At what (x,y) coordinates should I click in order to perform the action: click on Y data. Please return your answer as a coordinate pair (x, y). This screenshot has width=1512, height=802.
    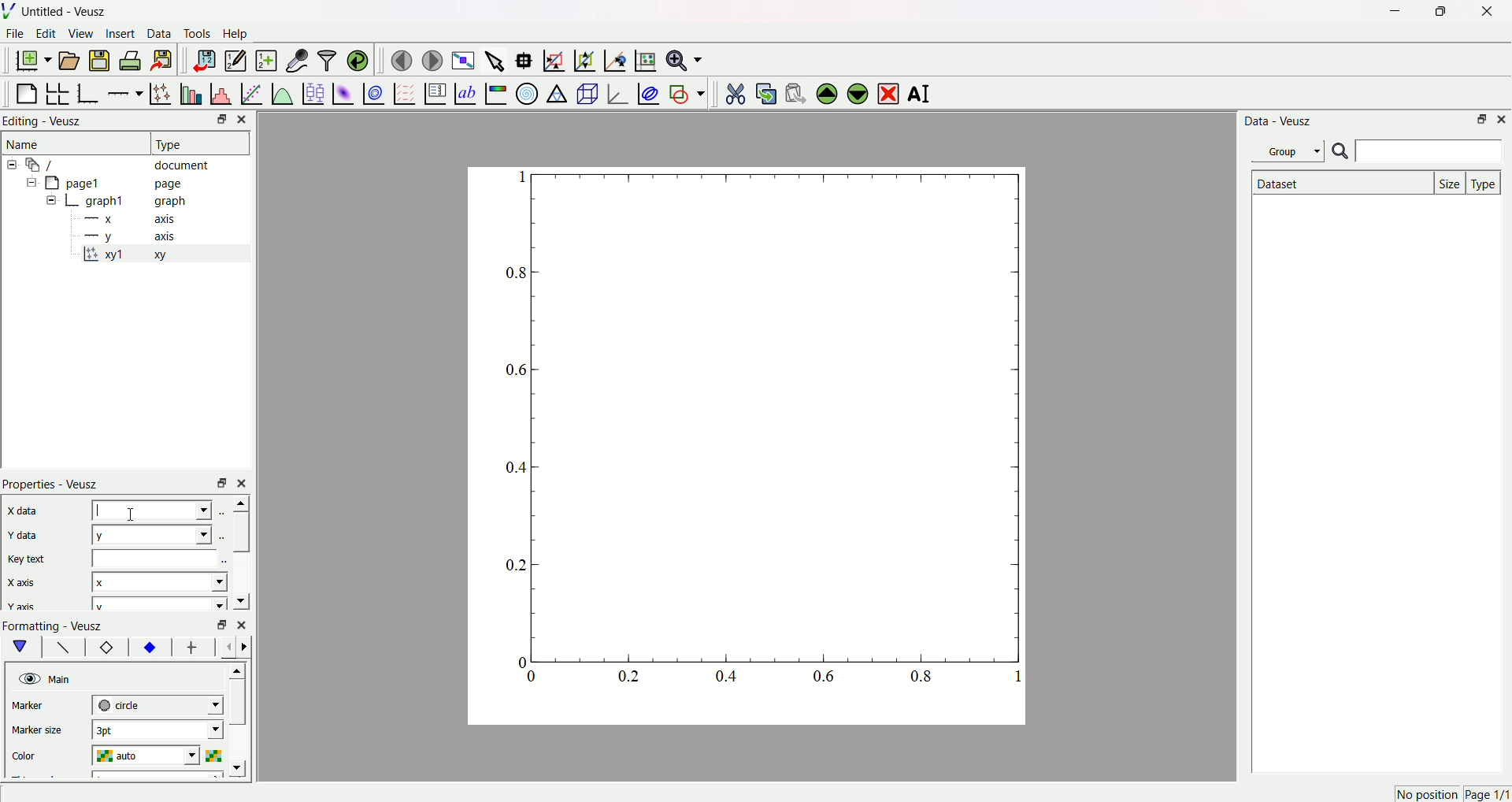
    Looking at the image, I should click on (31, 537).